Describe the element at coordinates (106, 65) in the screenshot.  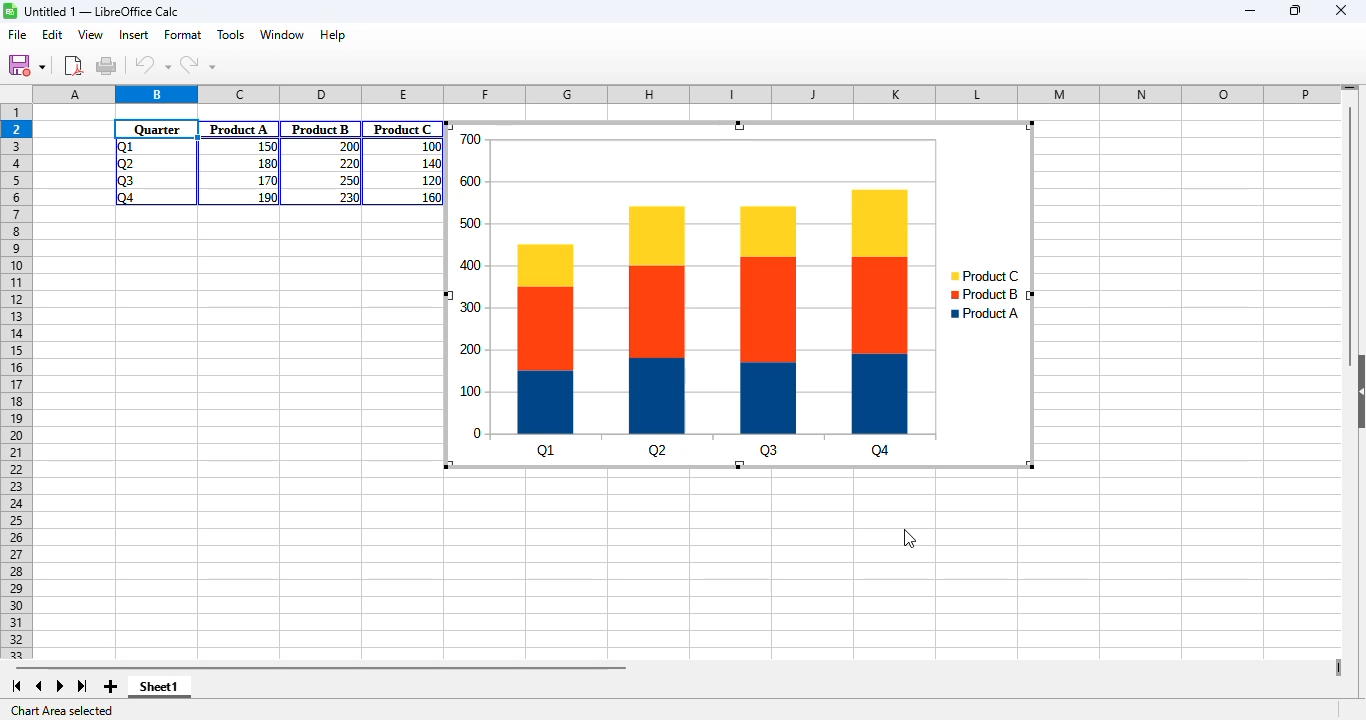
I see `print` at that location.